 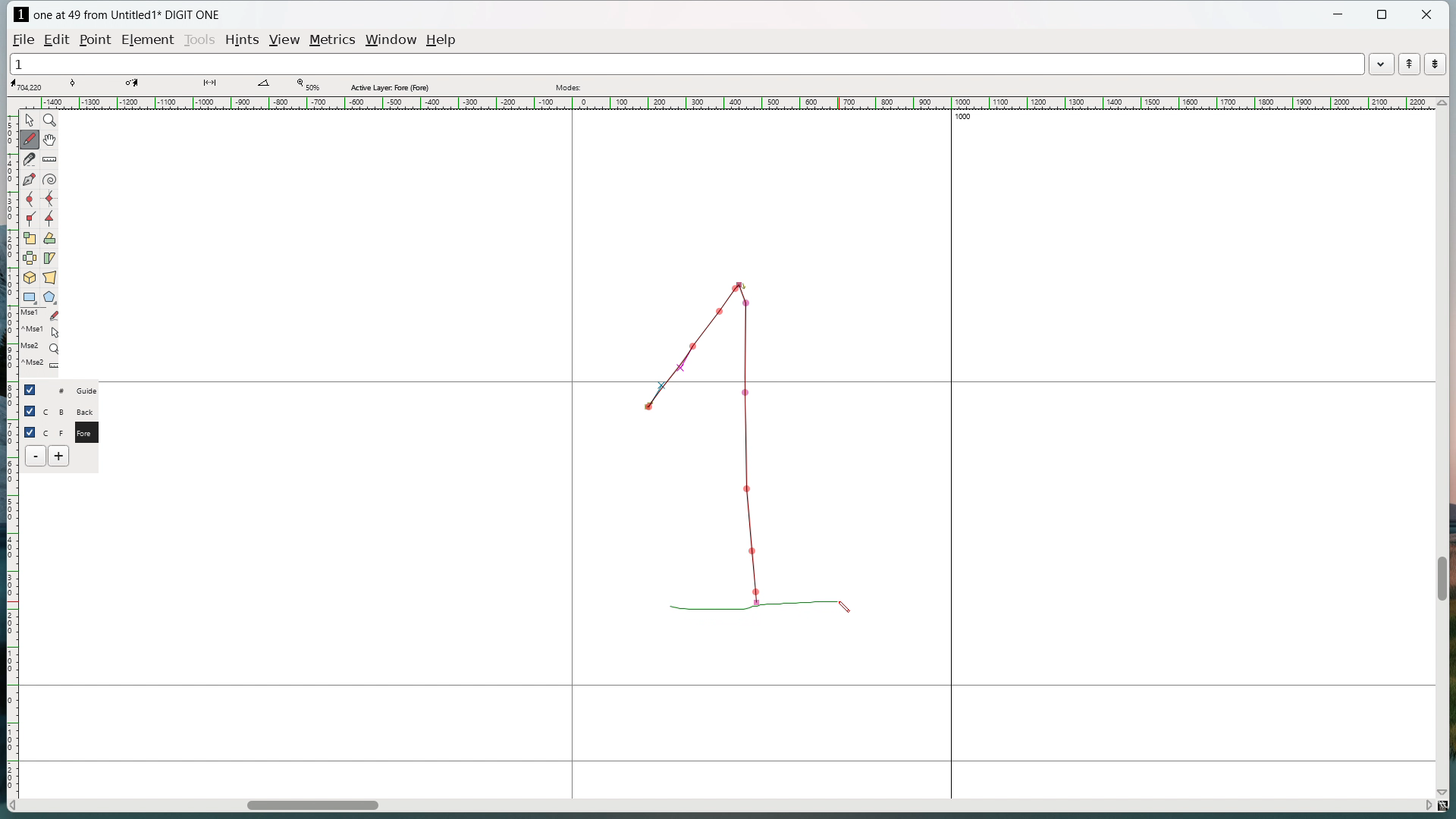 I want to click on cut splines in two, so click(x=30, y=159).